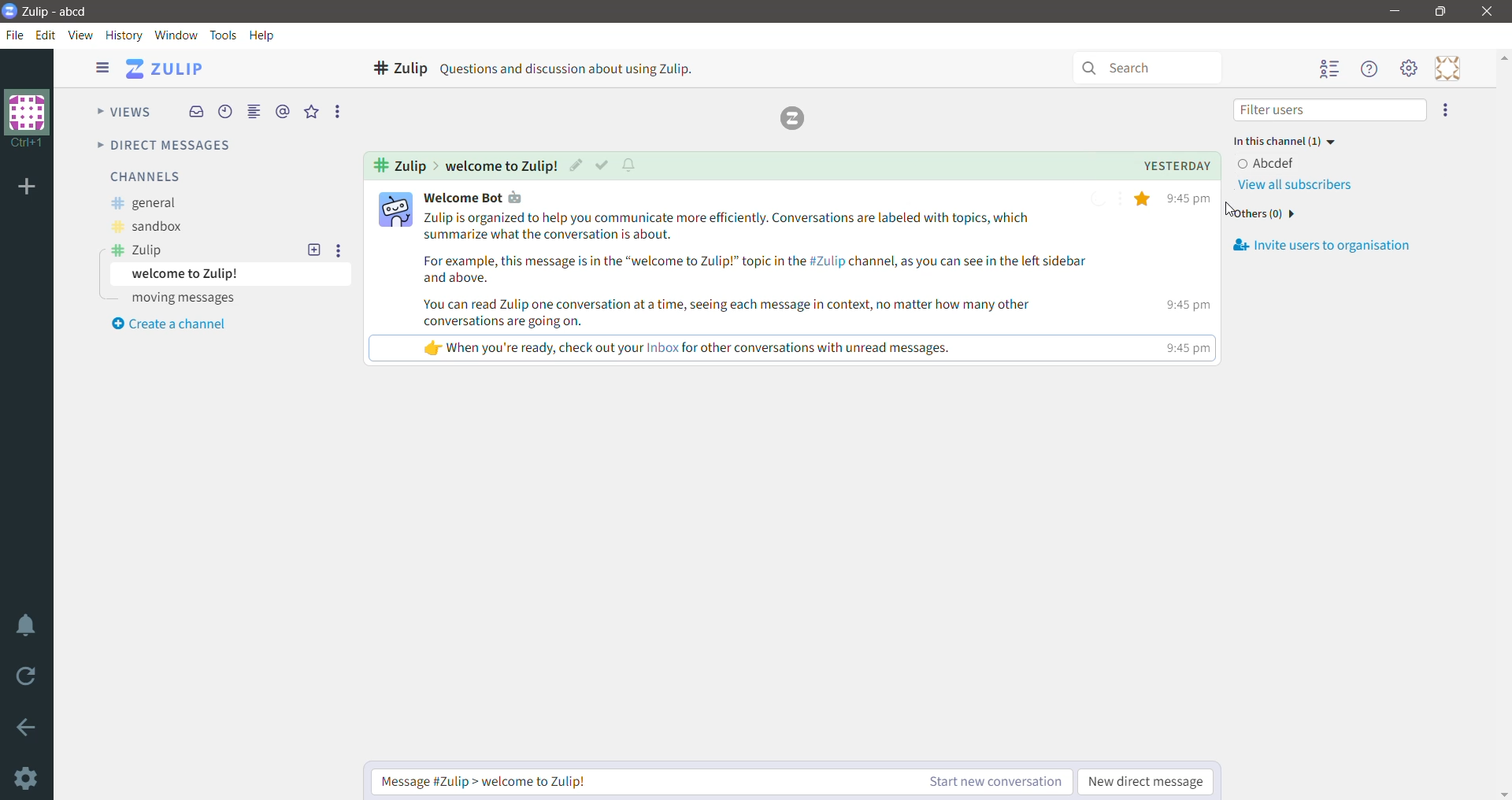 The width and height of the screenshot is (1512, 800). I want to click on Application Name - Organization Name, so click(61, 12).